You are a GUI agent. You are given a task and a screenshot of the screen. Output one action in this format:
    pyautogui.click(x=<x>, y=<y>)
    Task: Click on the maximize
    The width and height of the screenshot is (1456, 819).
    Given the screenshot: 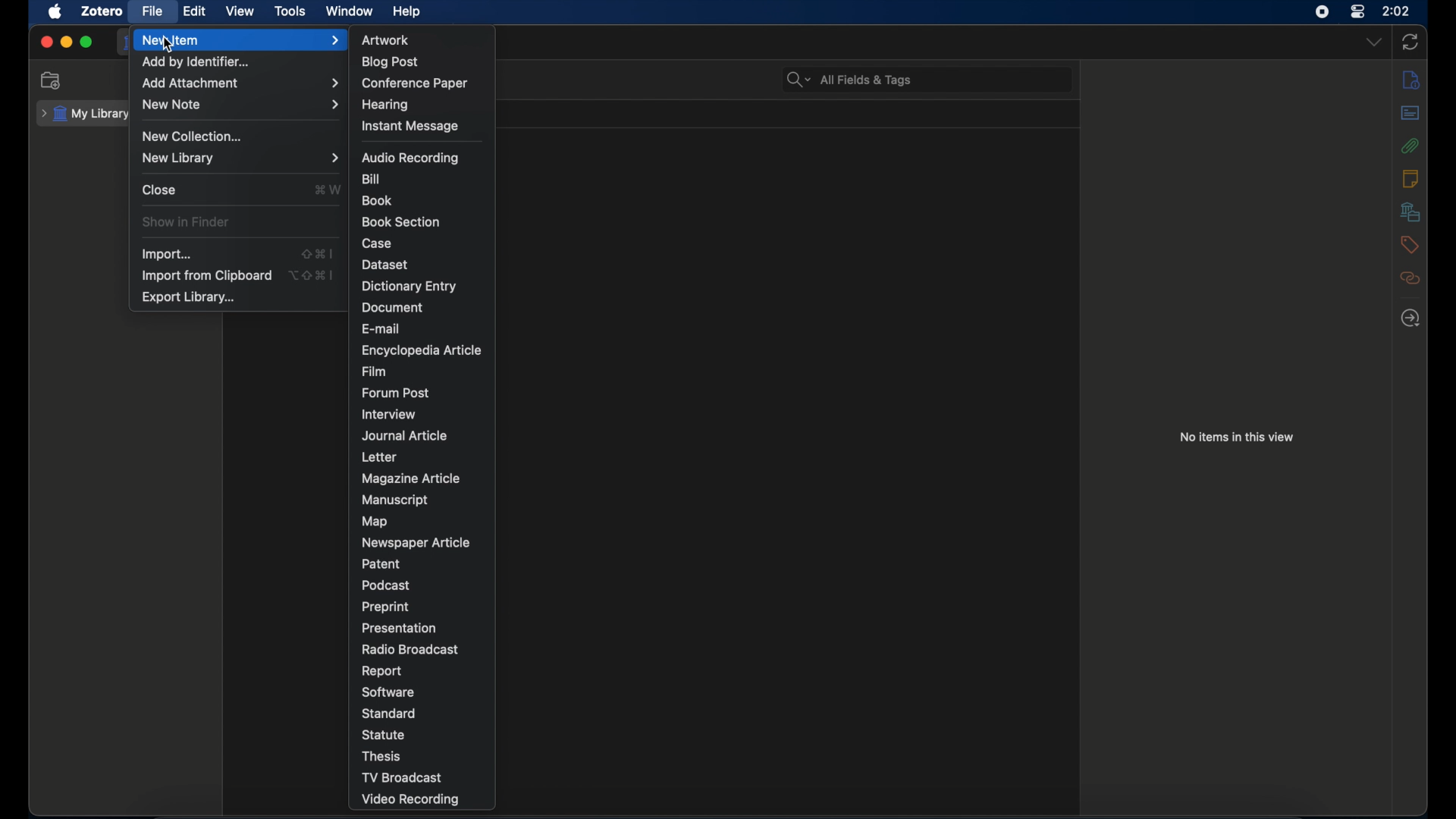 What is the action you would take?
    pyautogui.click(x=87, y=42)
    